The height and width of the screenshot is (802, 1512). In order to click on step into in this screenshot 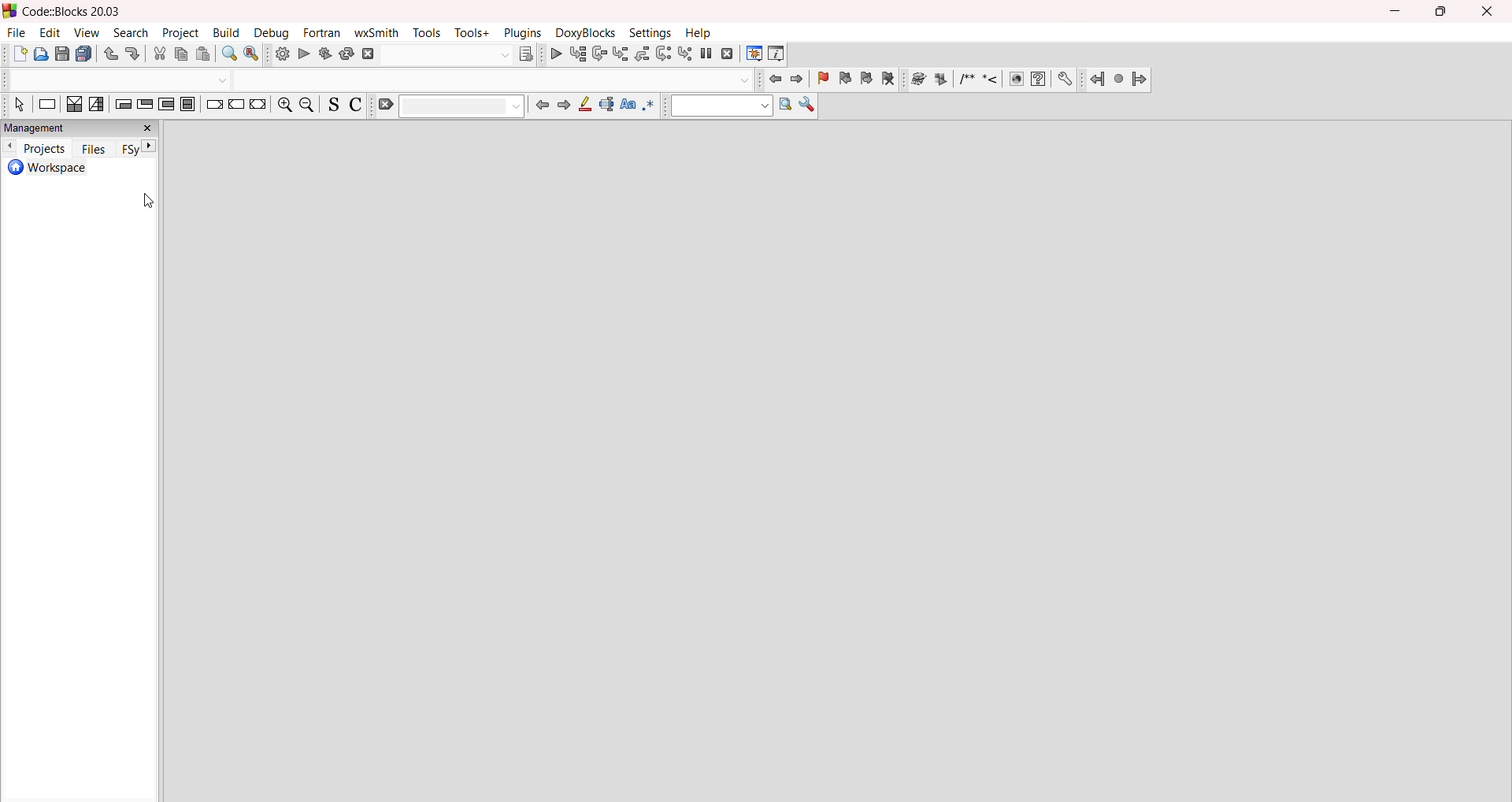, I will do `click(619, 54)`.